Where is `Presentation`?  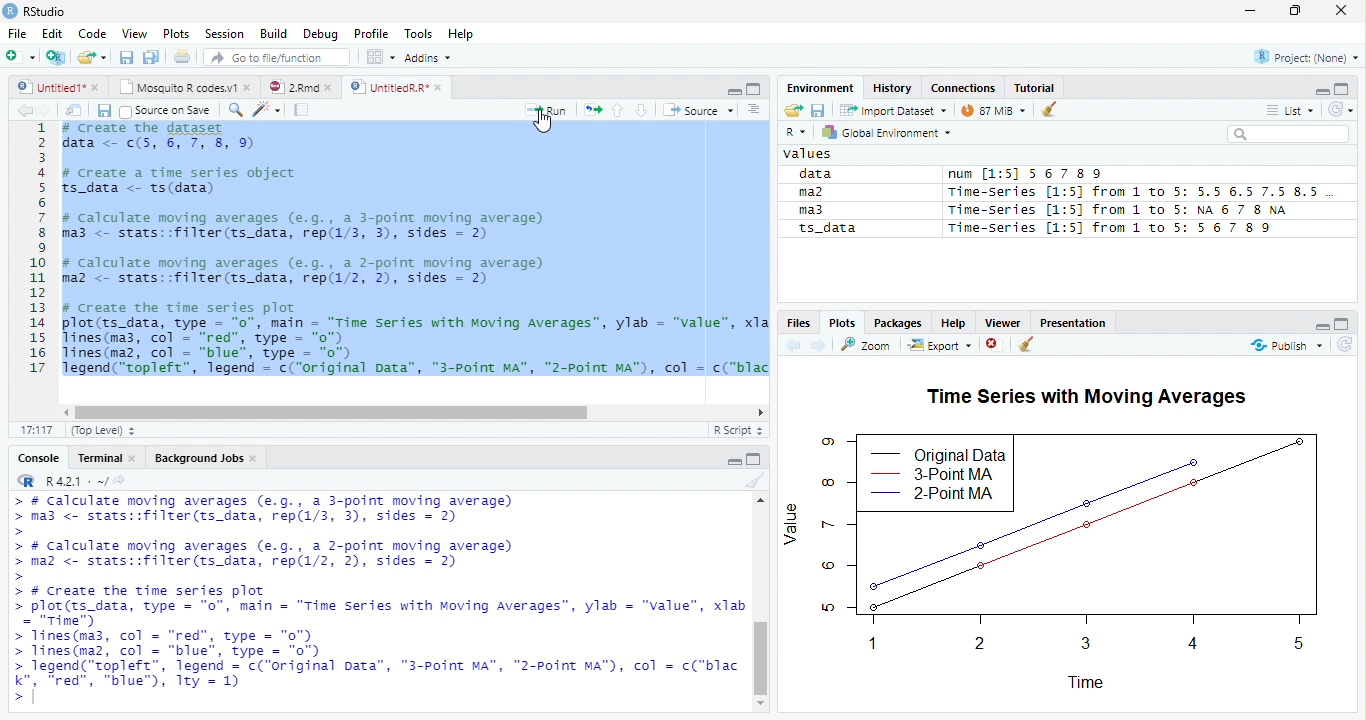 Presentation is located at coordinates (1071, 325).